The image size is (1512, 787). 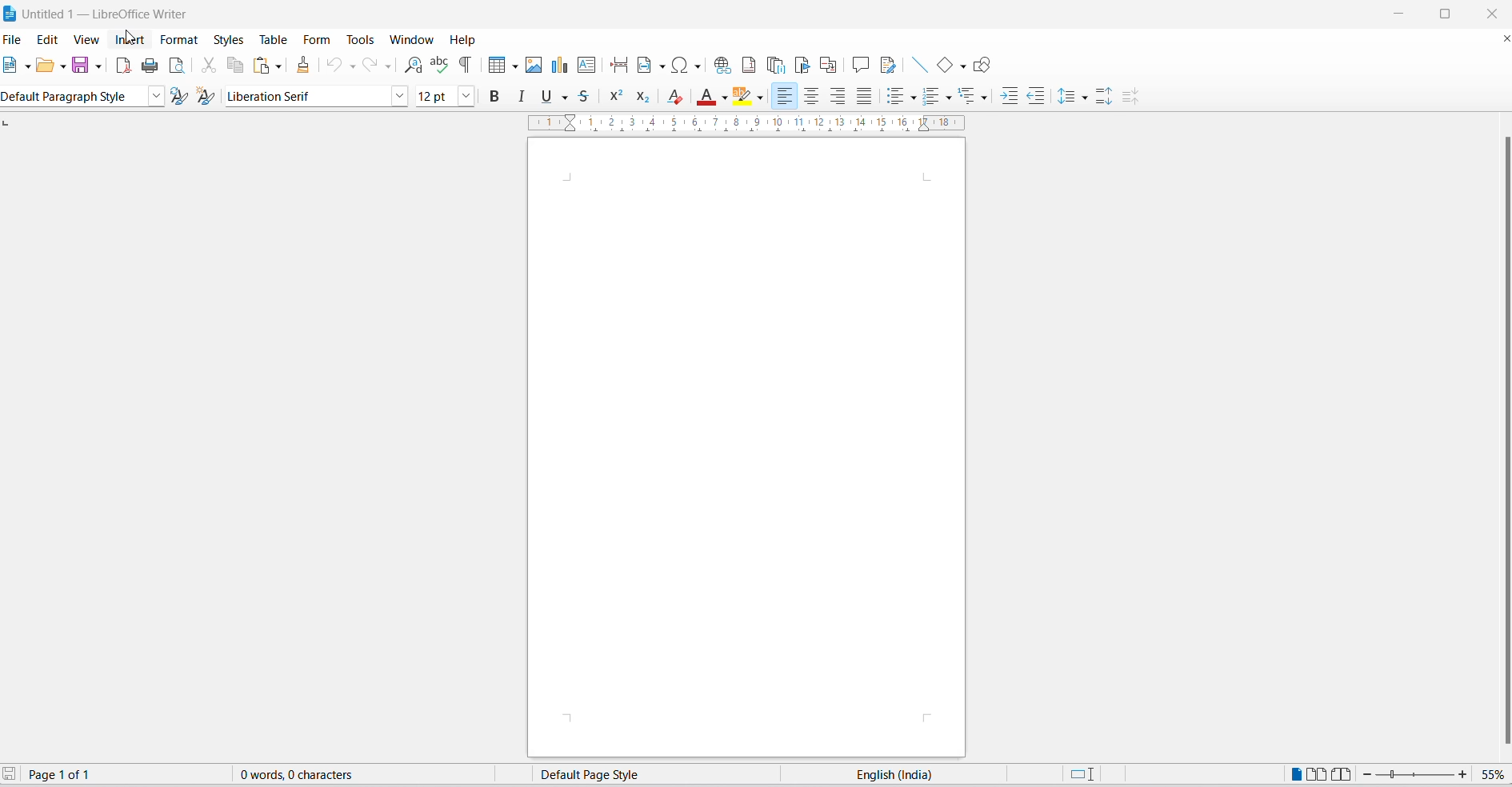 I want to click on spellings, so click(x=440, y=66).